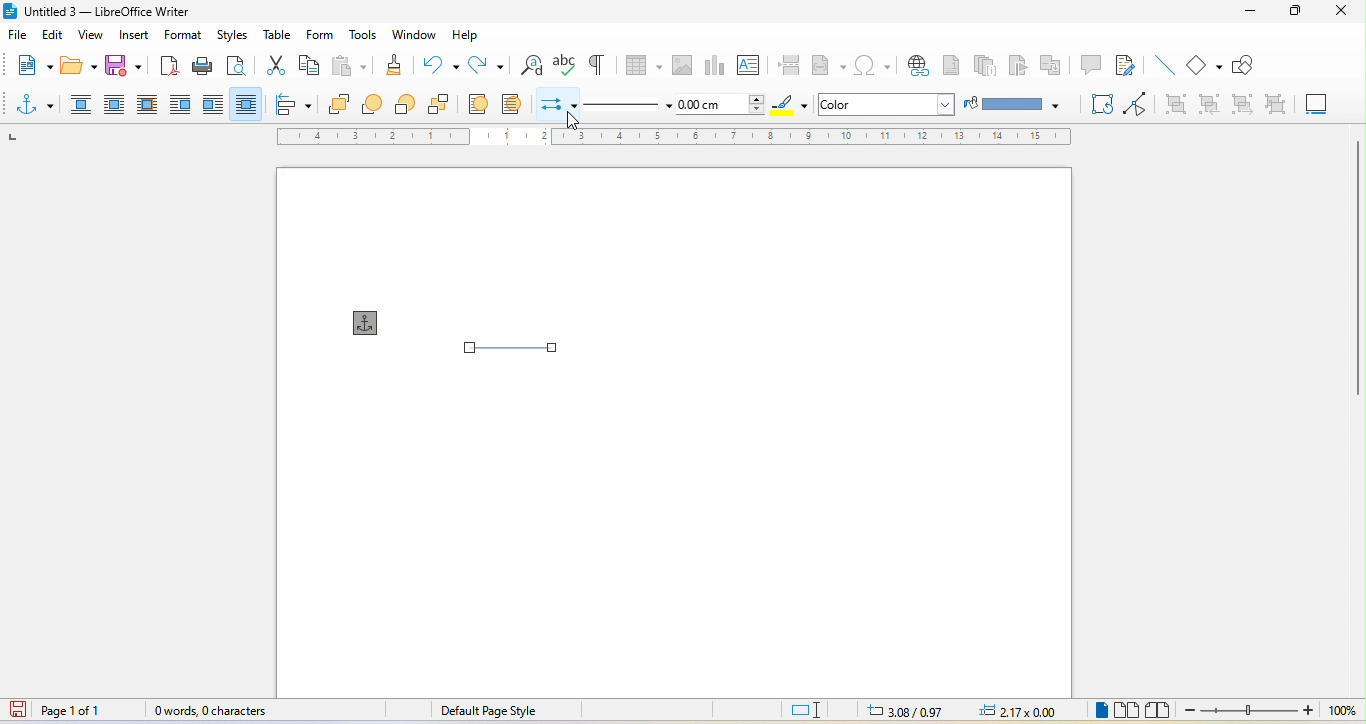 The image size is (1366, 724). I want to click on window, so click(414, 35).